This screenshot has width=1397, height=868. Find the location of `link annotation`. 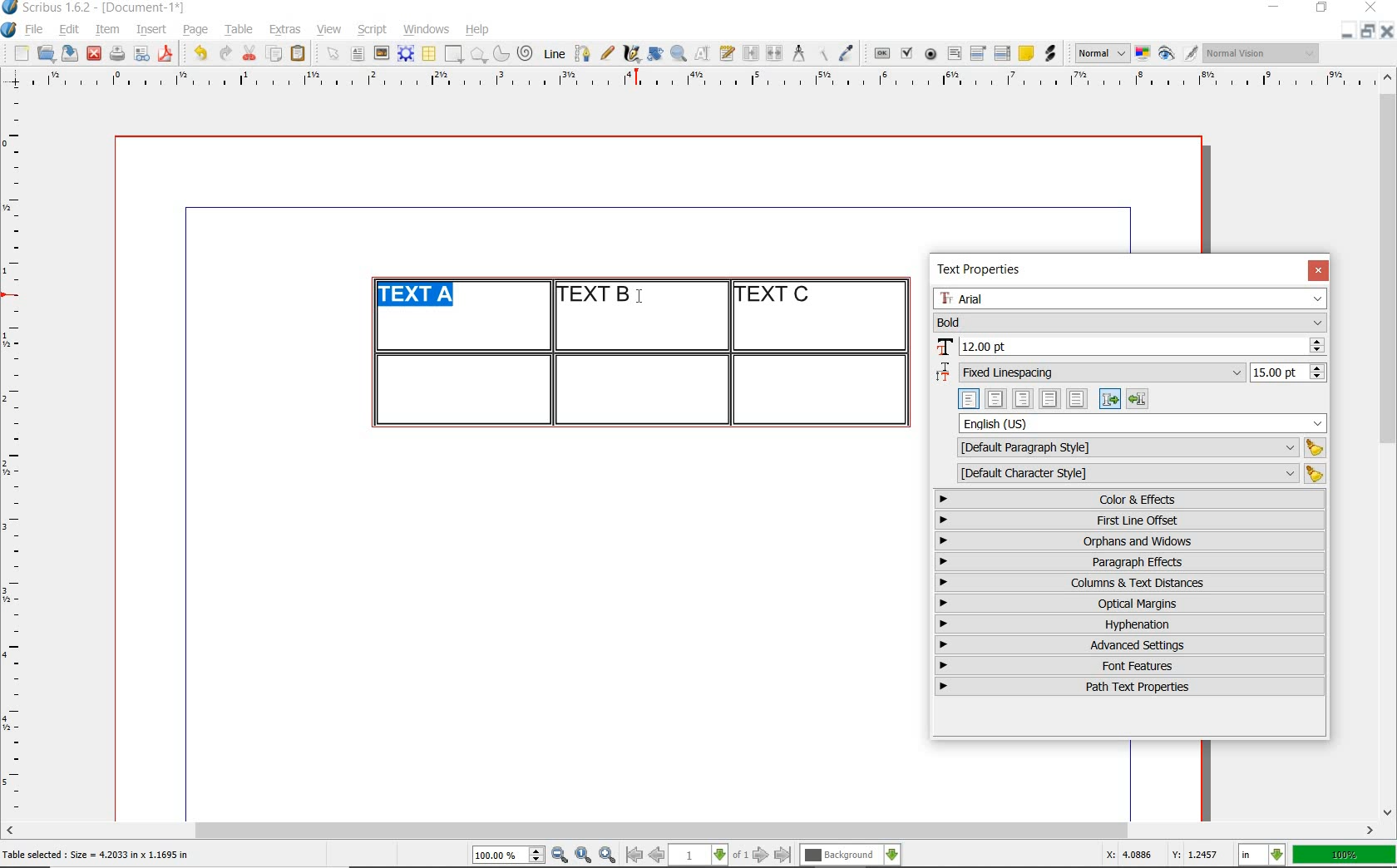

link annotation is located at coordinates (1052, 53).